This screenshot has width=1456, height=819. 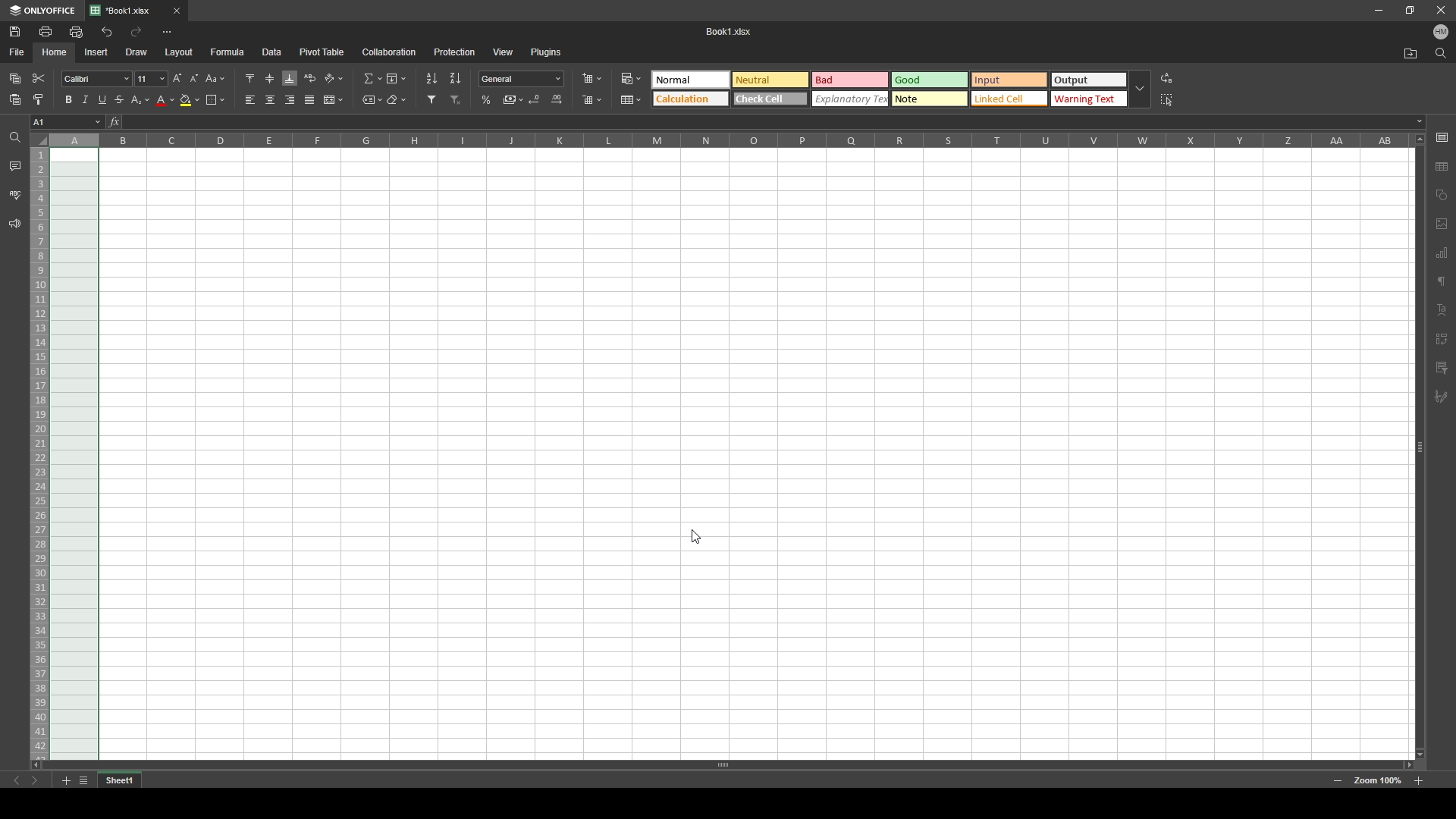 What do you see at coordinates (120, 781) in the screenshot?
I see `tab` at bounding box center [120, 781].